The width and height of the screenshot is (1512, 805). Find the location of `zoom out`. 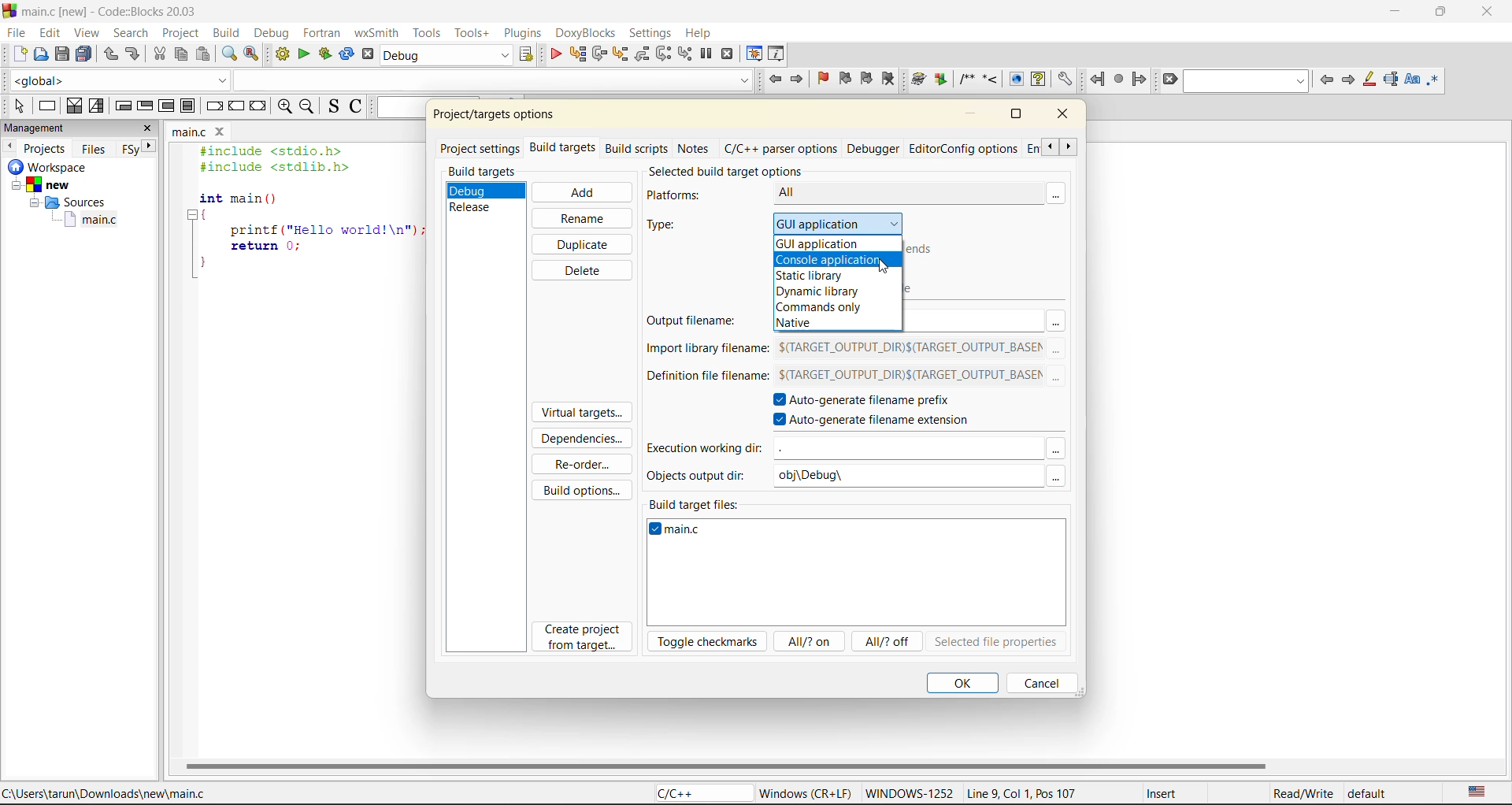

zoom out is located at coordinates (308, 108).